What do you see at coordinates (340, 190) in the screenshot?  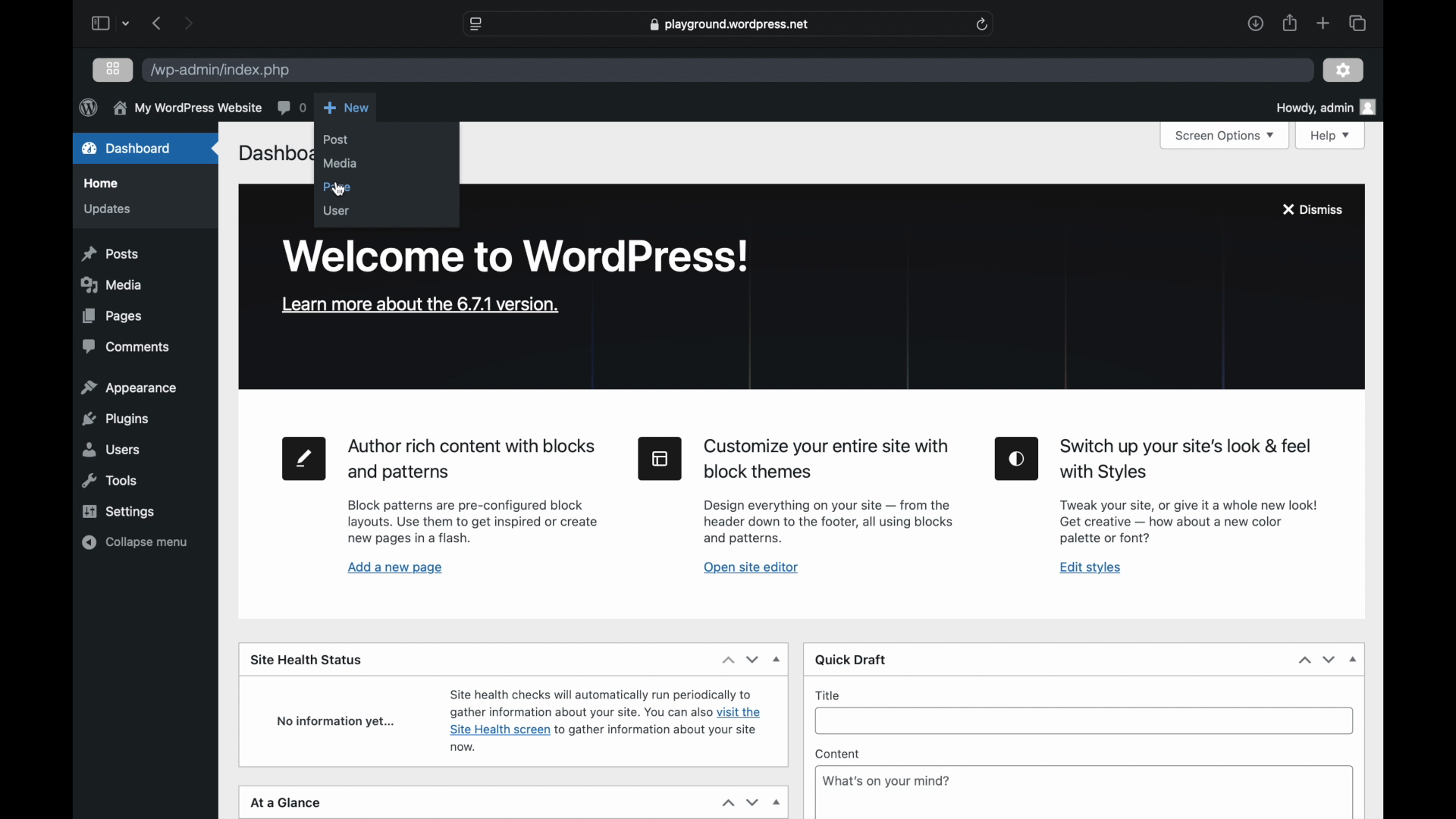 I see `cursor` at bounding box center [340, 190].